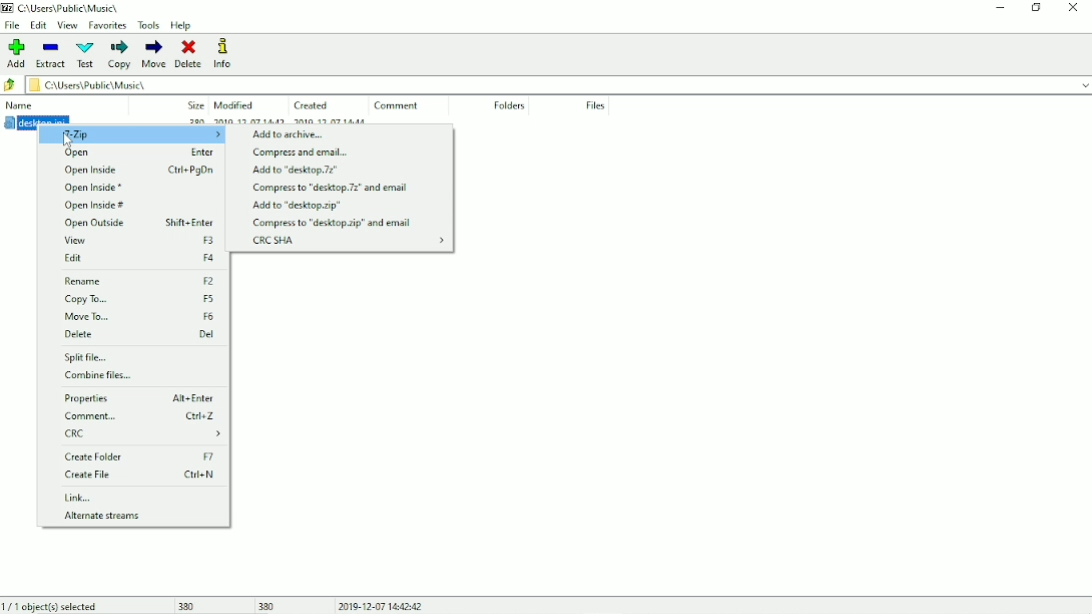 The image size is (1092, 614). I want to click on Split file, so click(90, 358).